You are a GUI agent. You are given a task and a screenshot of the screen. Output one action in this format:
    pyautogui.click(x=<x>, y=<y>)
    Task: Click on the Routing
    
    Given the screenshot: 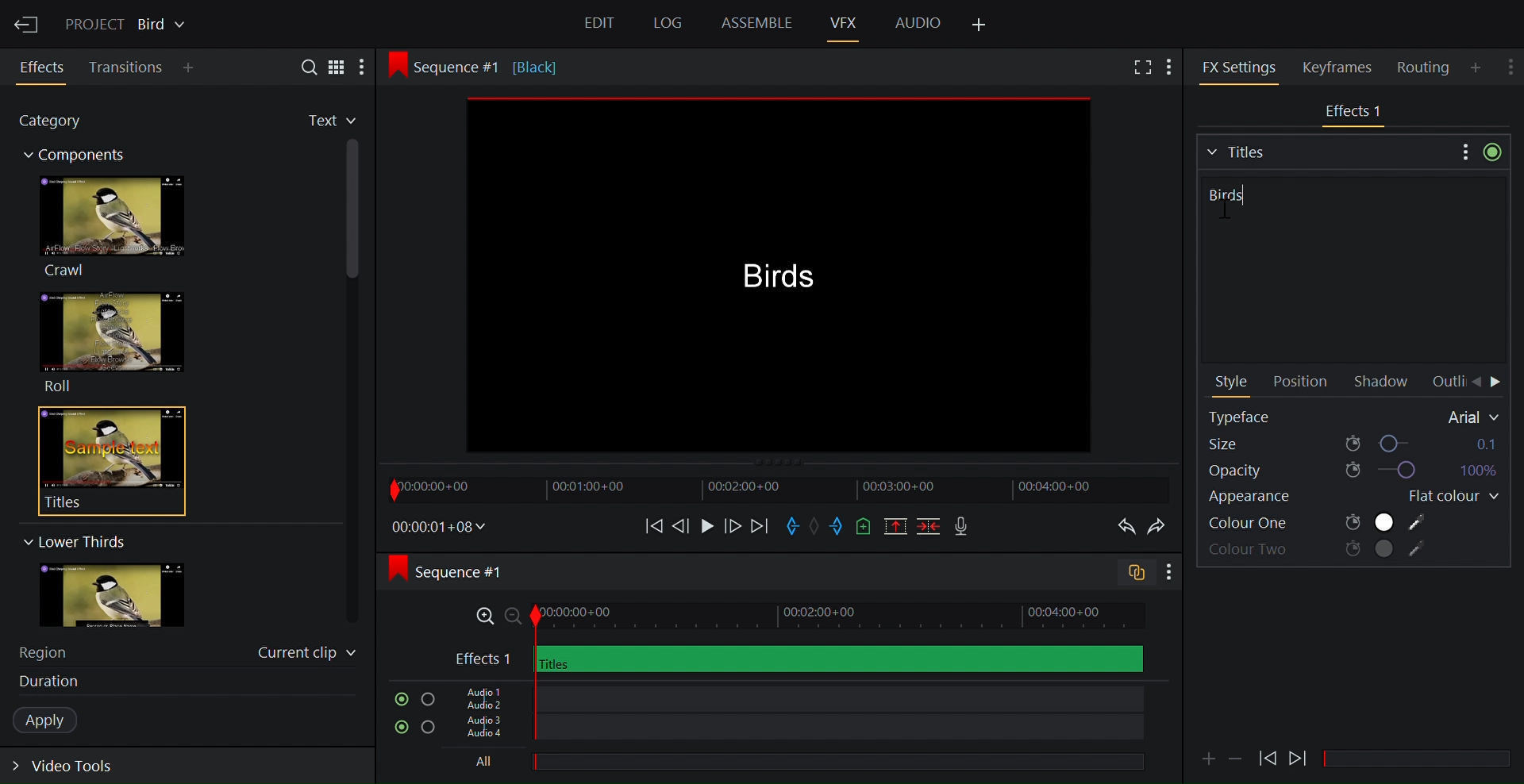 What is the action you would take?
    pyautogui.click(x=1426, y=67)
    